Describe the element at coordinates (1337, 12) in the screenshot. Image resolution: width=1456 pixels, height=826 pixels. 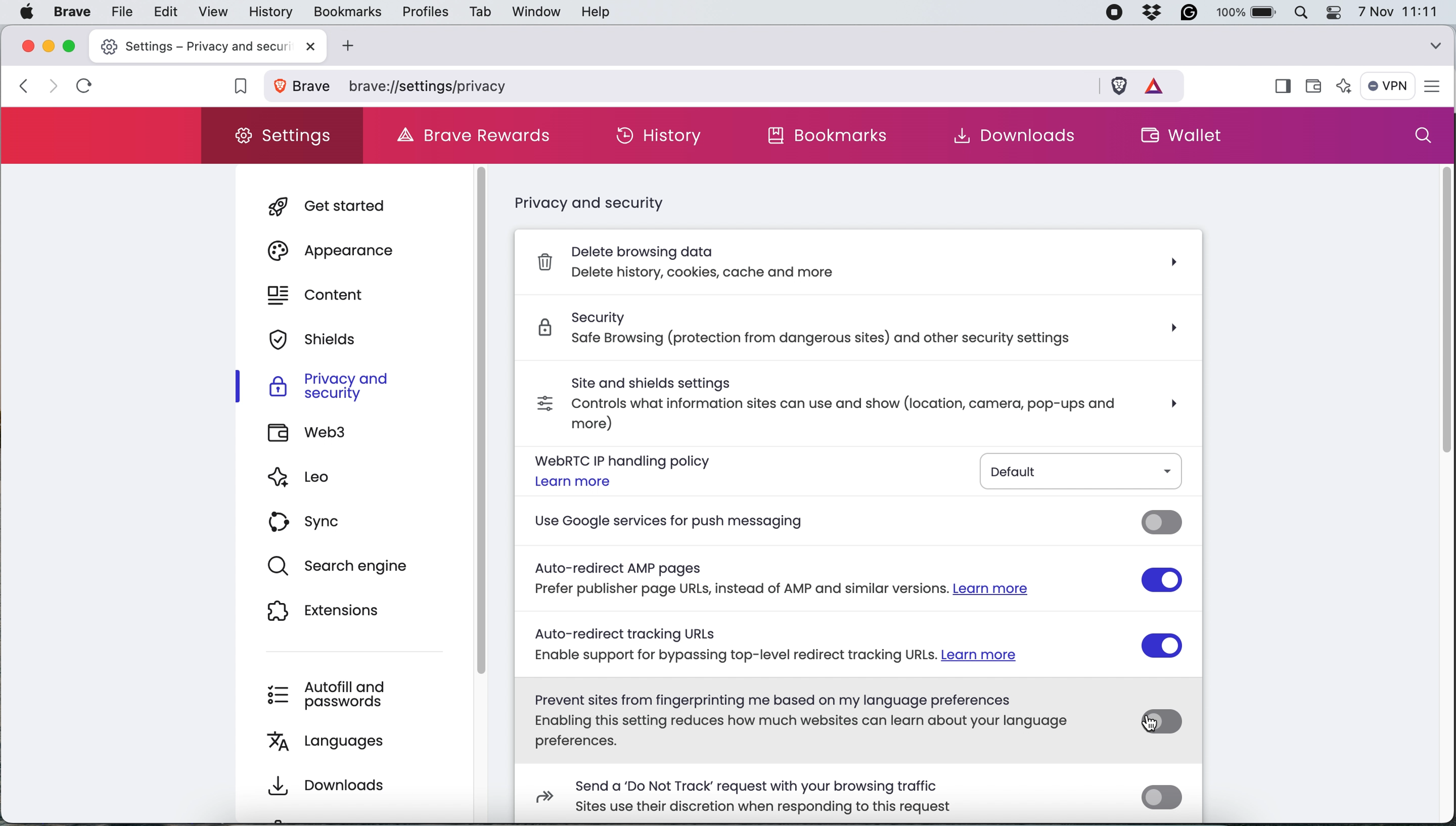
I see `control center` at that location.